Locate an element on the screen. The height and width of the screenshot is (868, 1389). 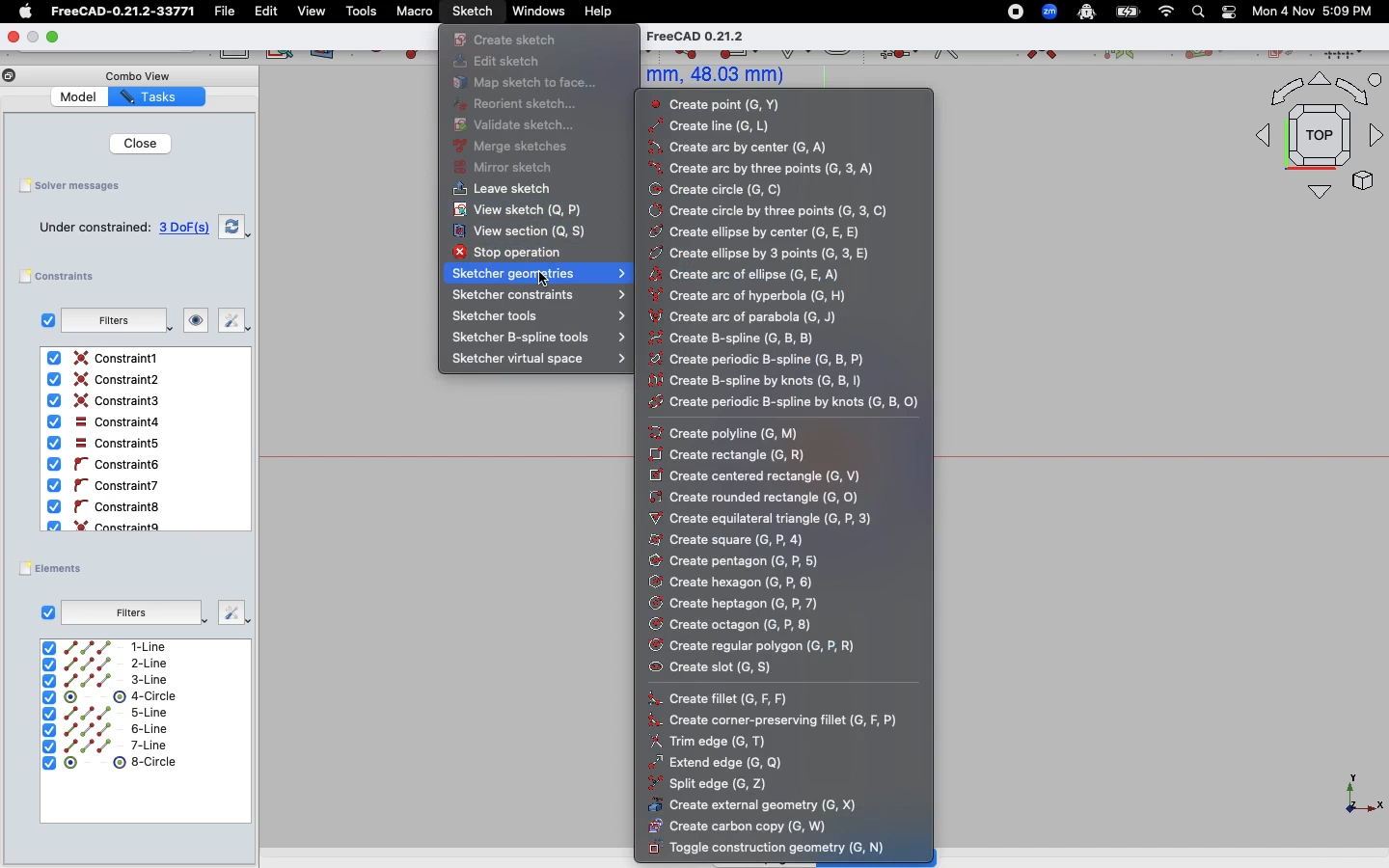
Mon 4 Nov 5:09 PM is located at coordinates (1315, 12).